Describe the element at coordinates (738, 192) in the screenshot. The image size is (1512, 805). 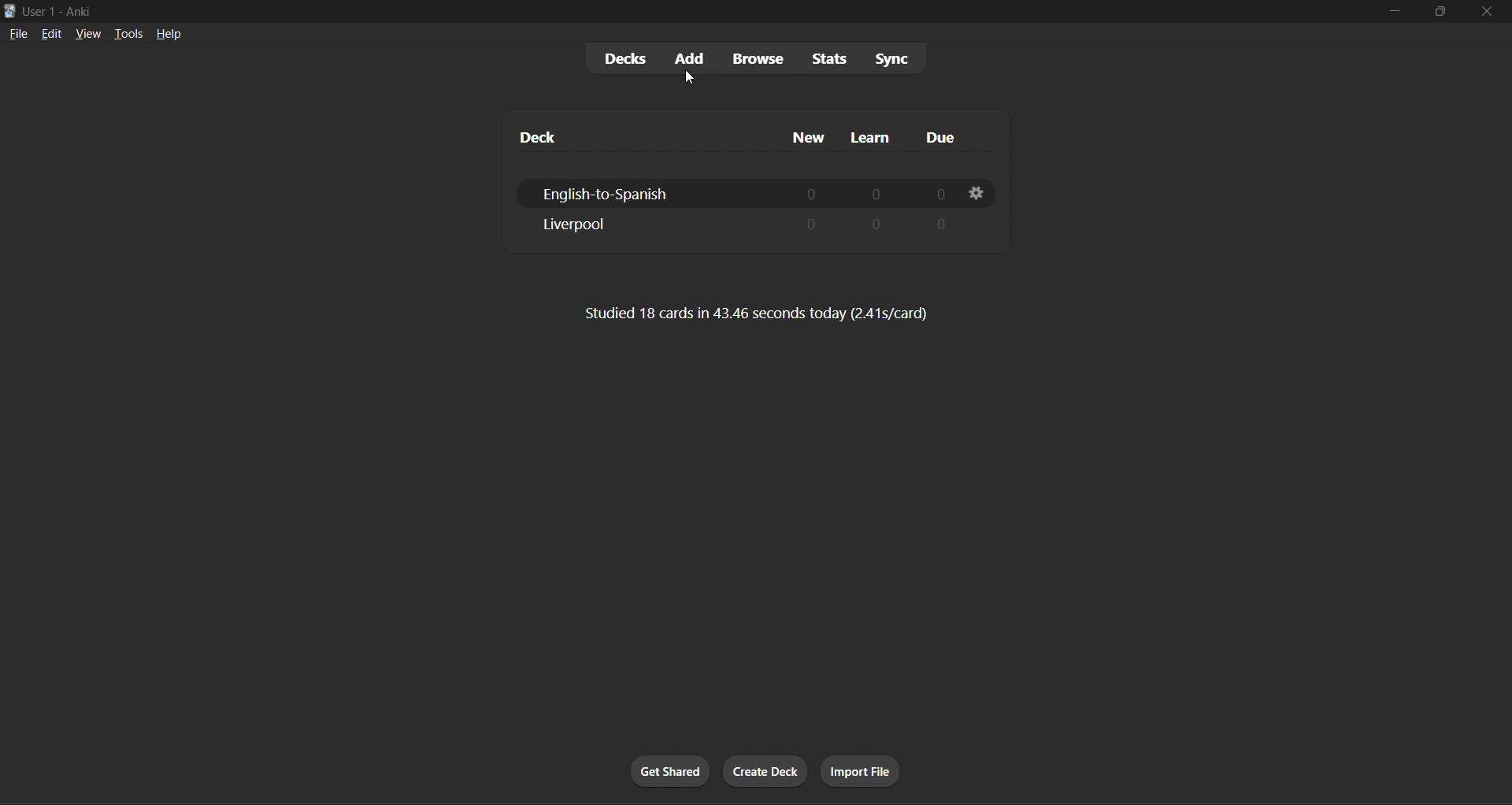
I see `english-to-spanish deck` at that location.